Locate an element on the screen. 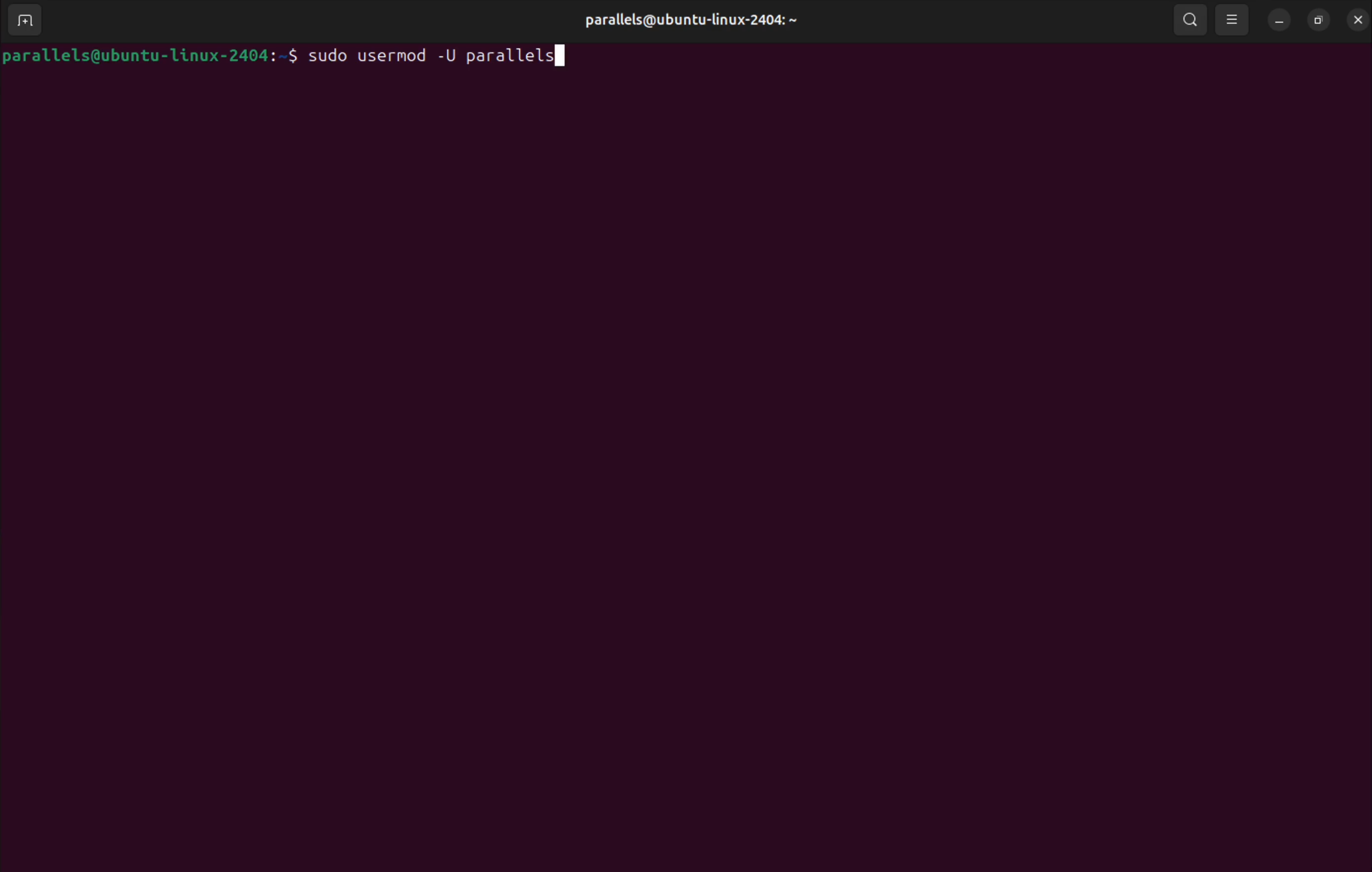  minimize is located at coordinates (1280, 21).